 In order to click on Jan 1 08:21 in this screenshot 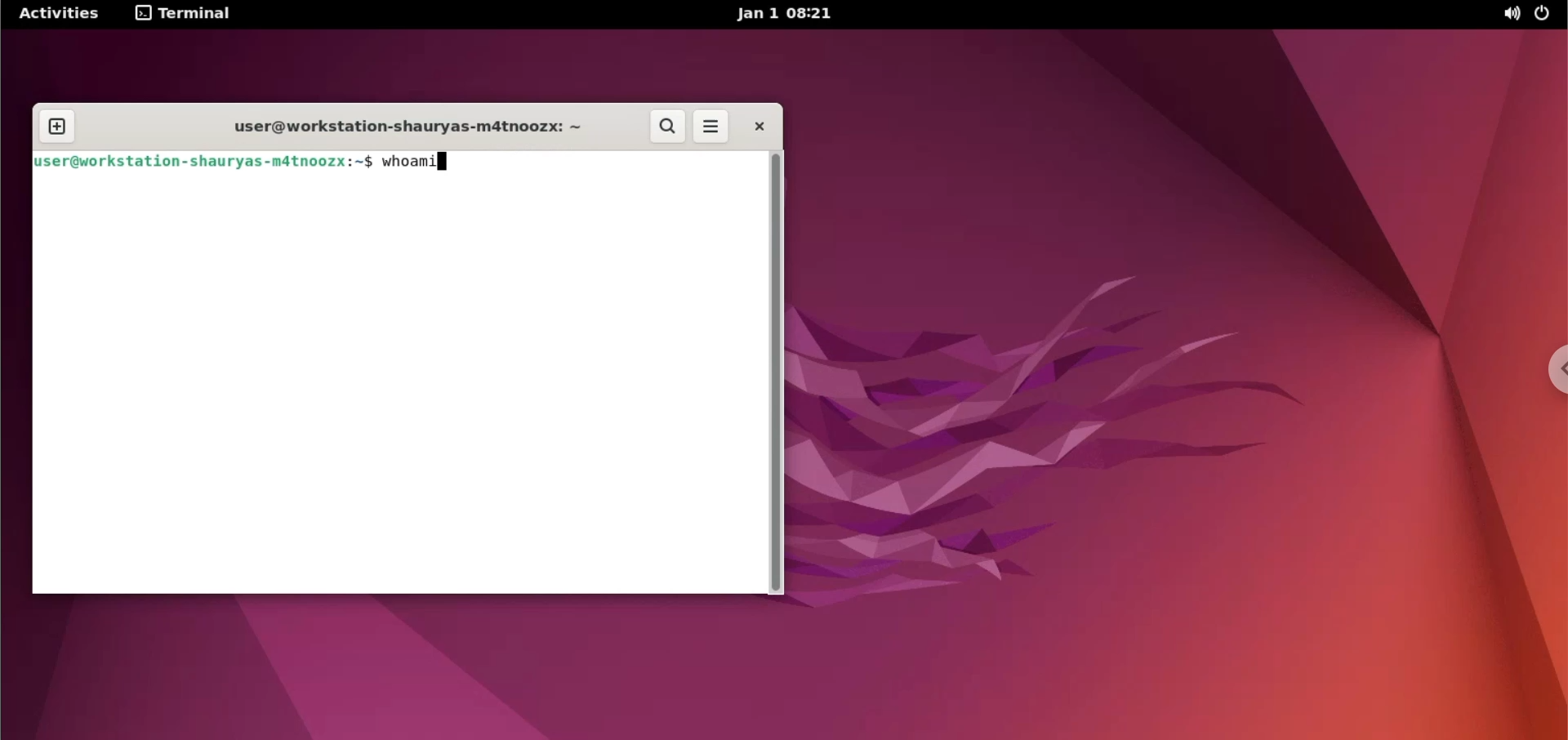, I will do `click(791, 15)`.